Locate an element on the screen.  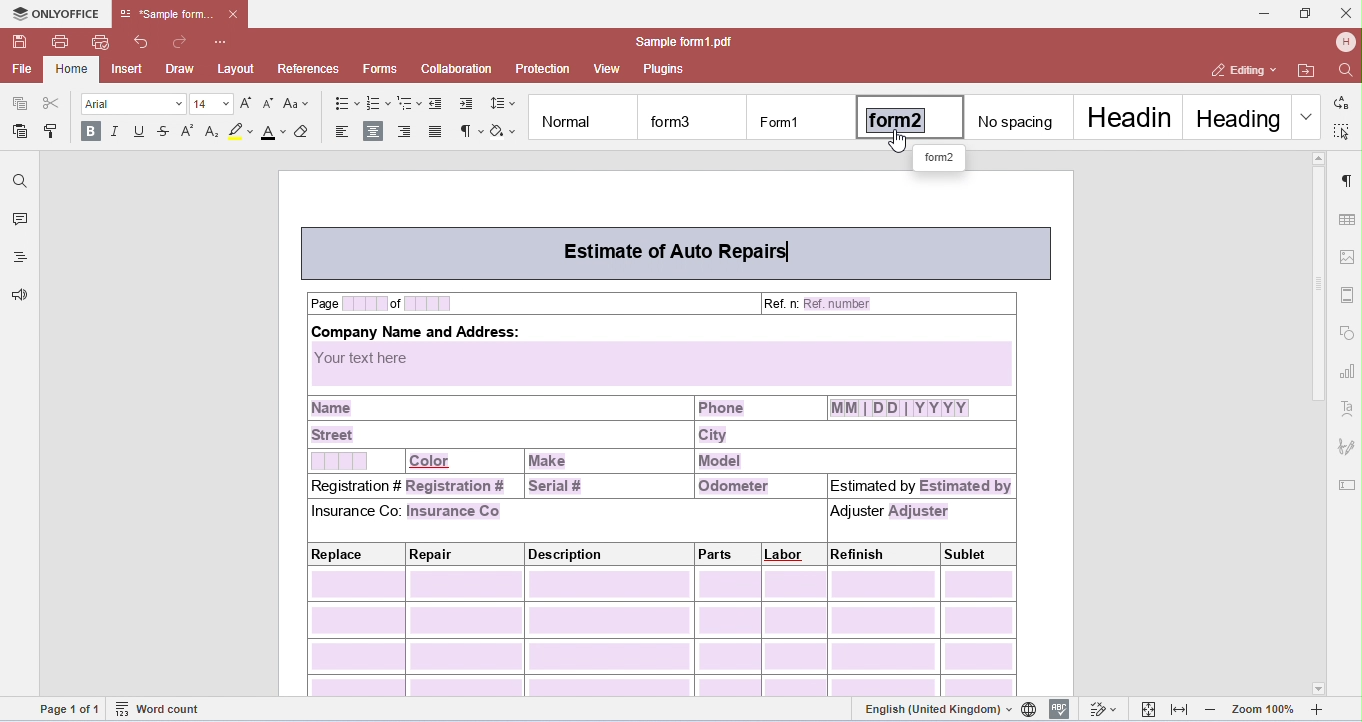
editing is located at coordinates (1241, 71).